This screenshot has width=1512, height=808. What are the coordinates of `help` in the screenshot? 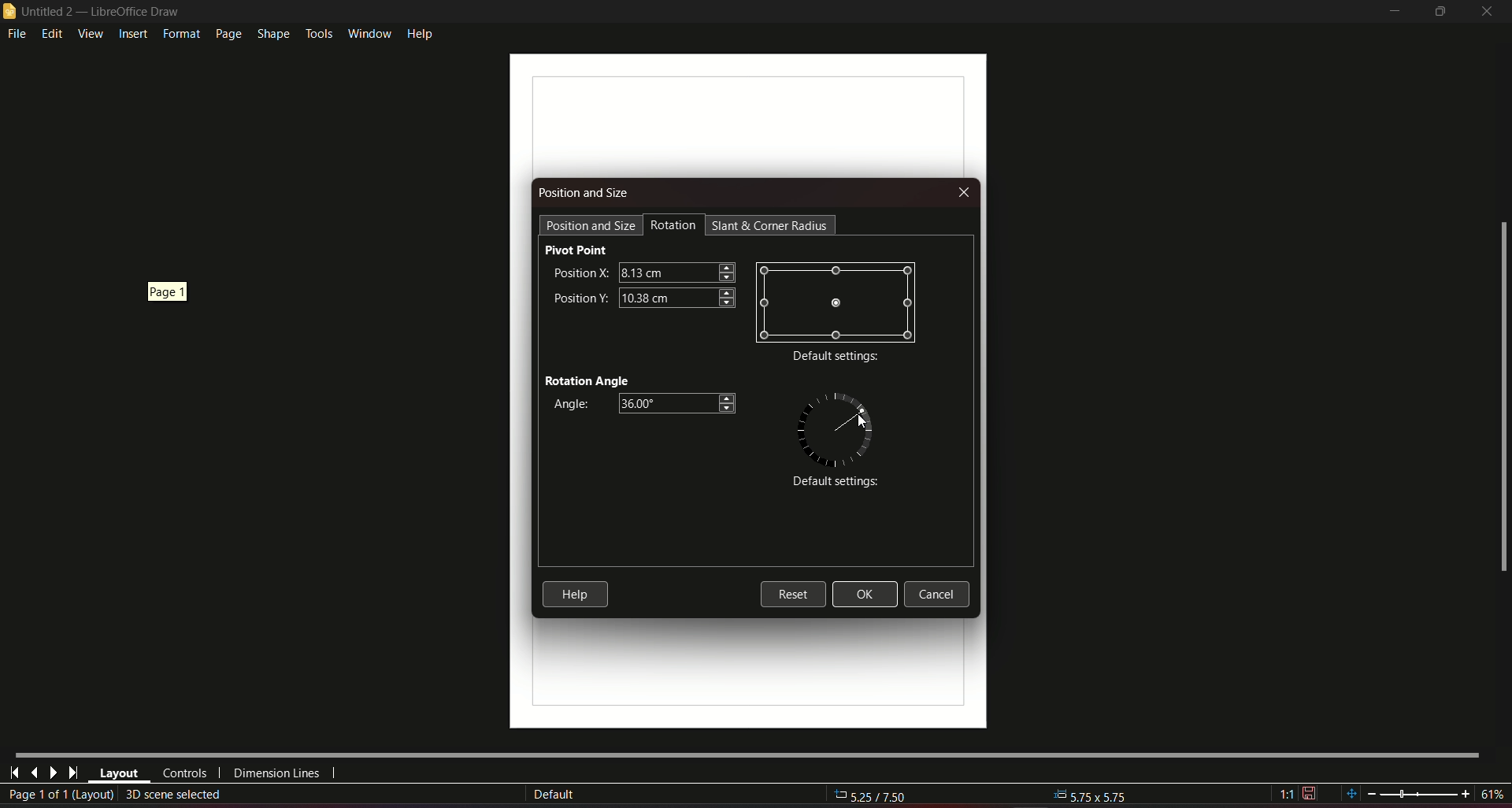 It's located at (421, 32).